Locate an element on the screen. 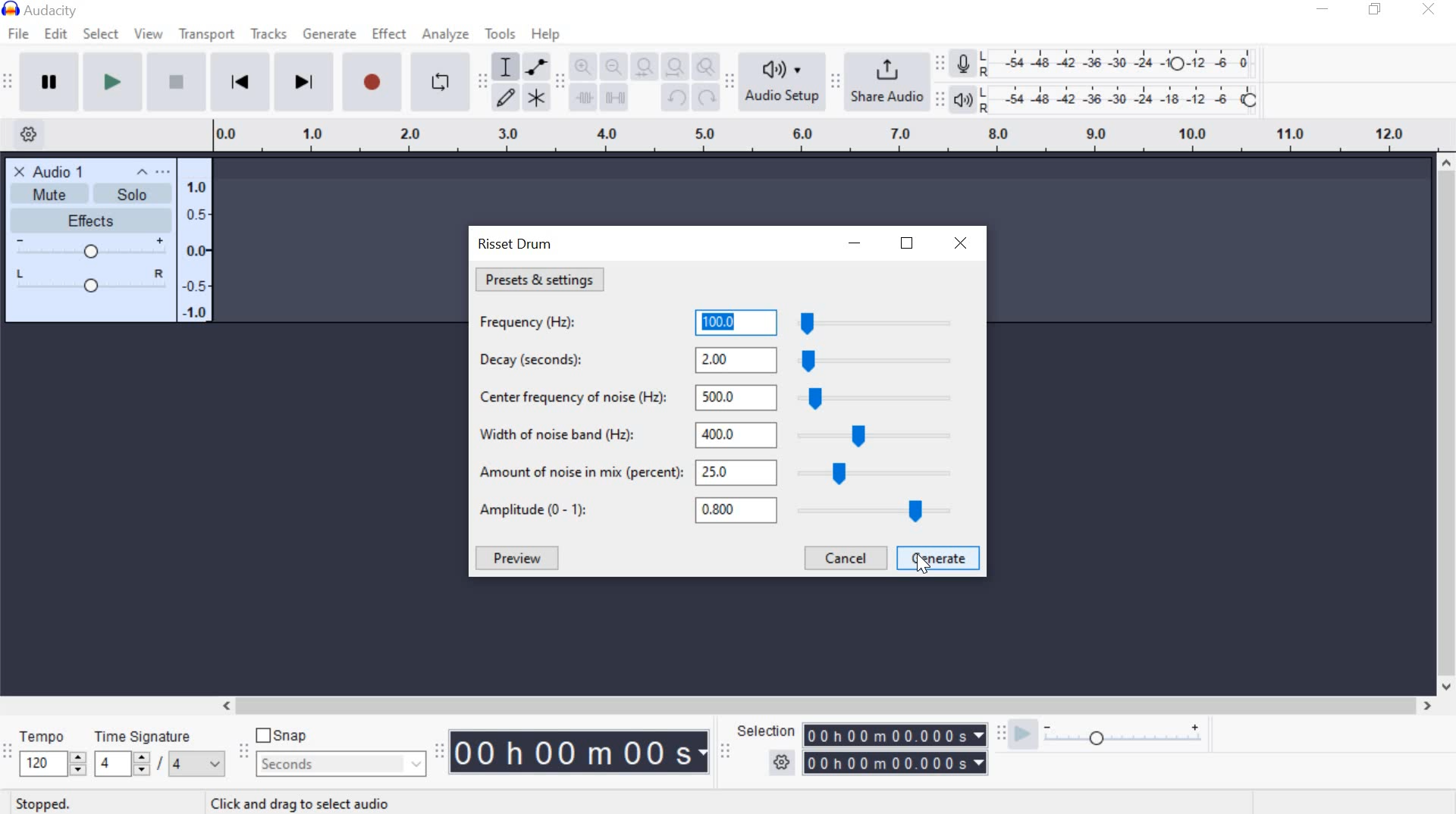 The image size is (1456, 814). Playback meter toolbar is located at coordinates (938, 99).